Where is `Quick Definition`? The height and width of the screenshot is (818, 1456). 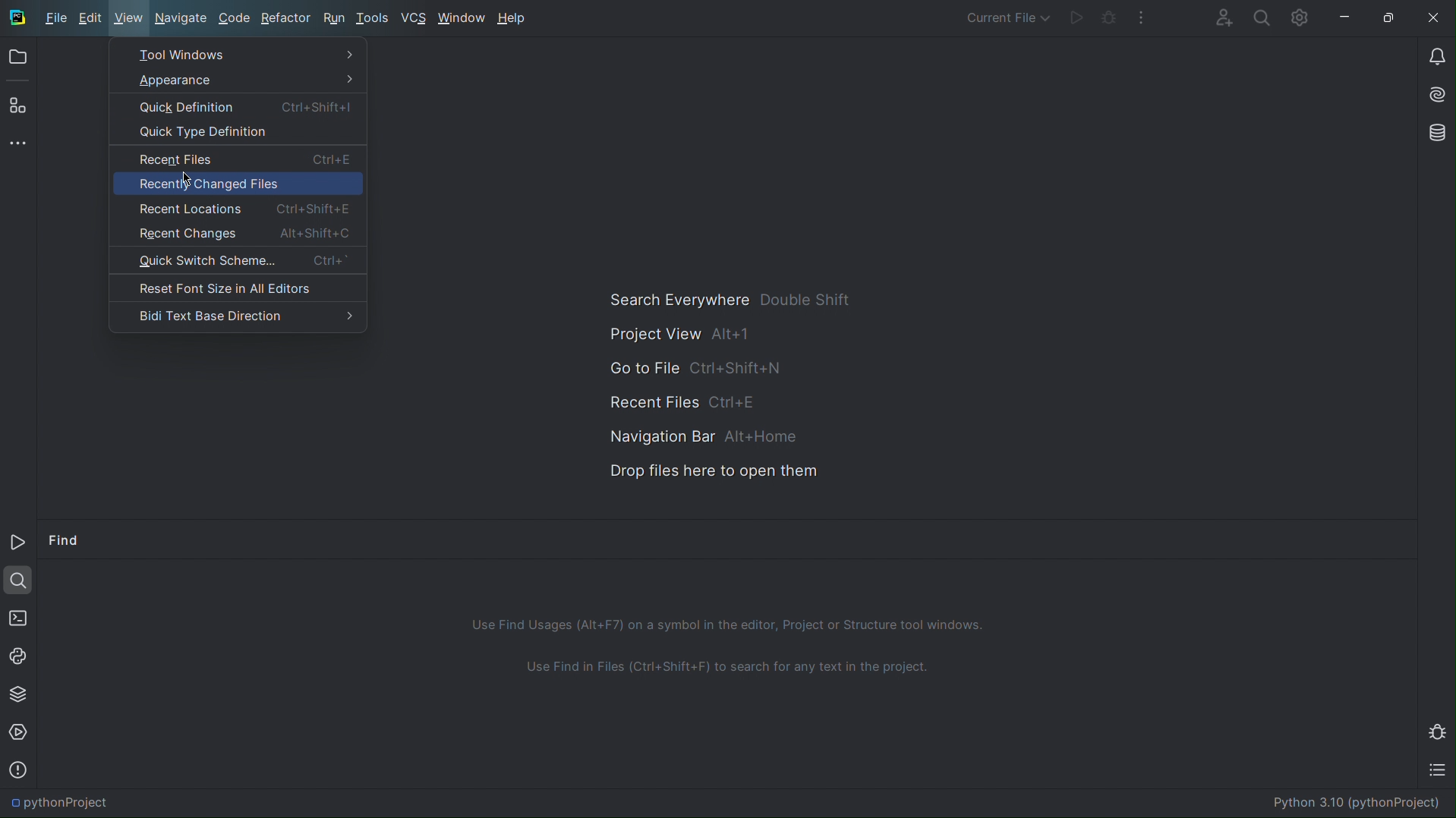 Quick Definition is located at coordinates (239, 108).